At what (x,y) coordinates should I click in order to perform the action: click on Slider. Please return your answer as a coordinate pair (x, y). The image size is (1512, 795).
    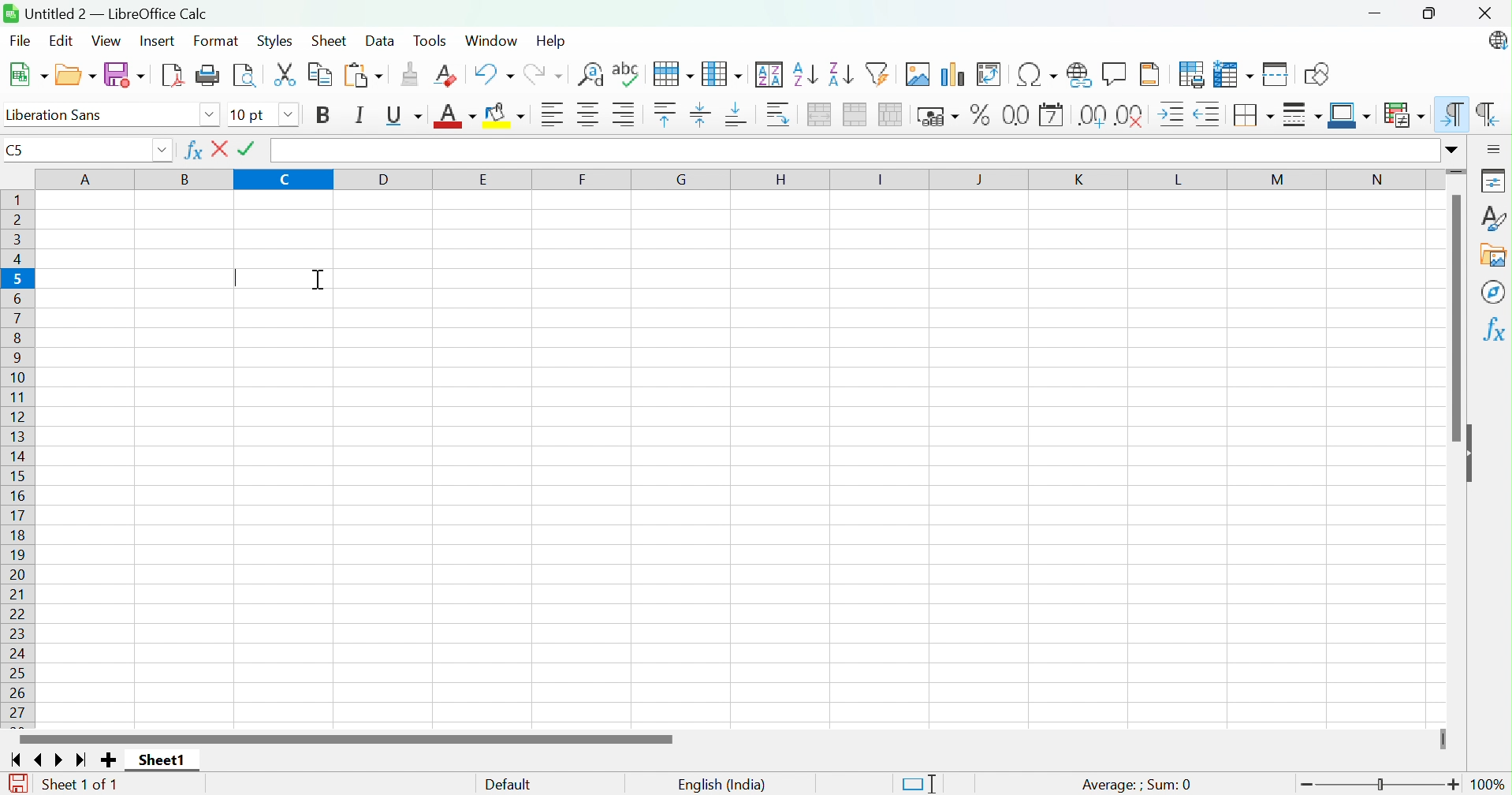
    Looking at the image, I should click on (1441, 738).